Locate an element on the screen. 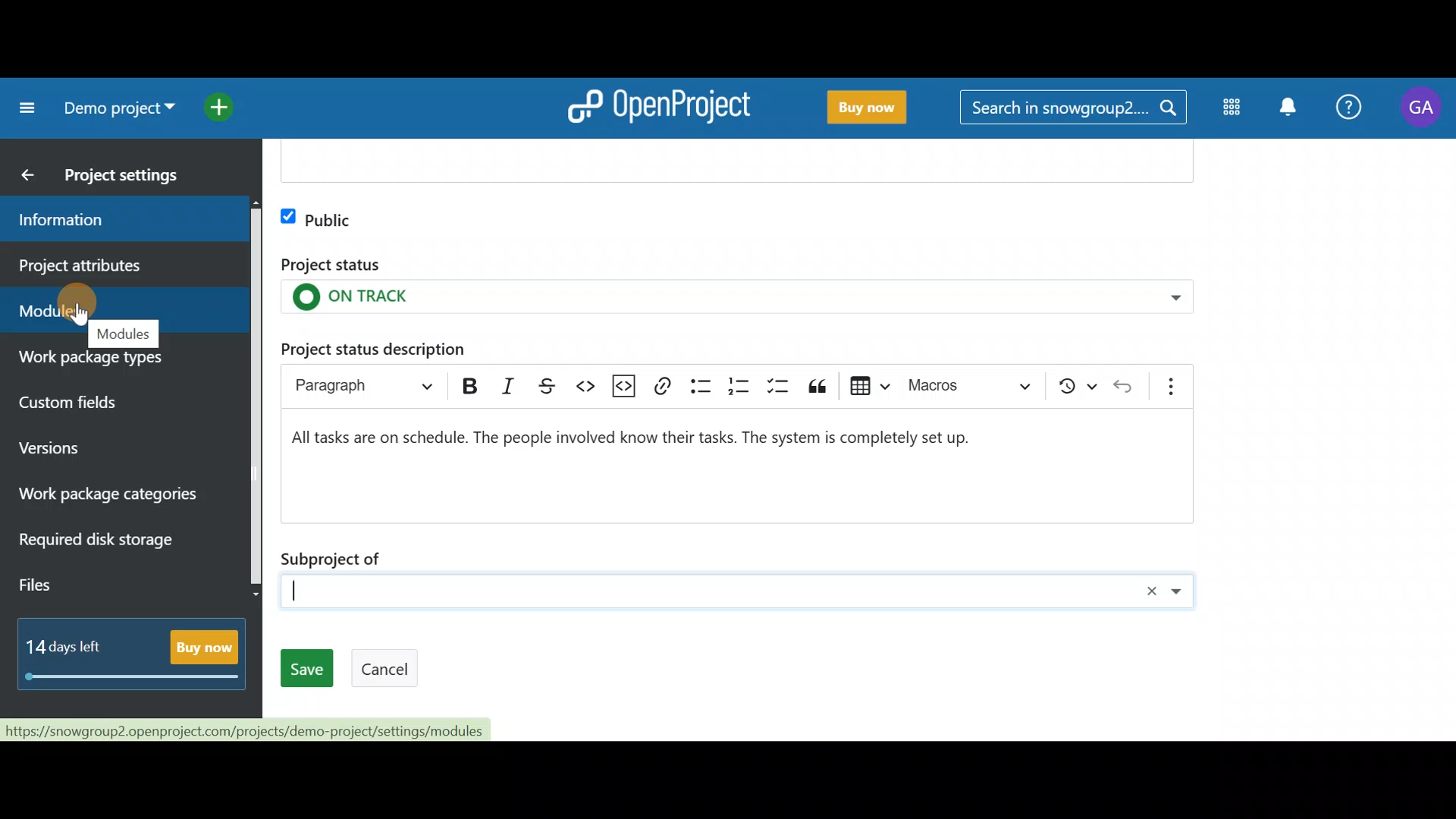 This screenshot has height=819, width=1456. Subproject of is located at coordinates (739, 575).